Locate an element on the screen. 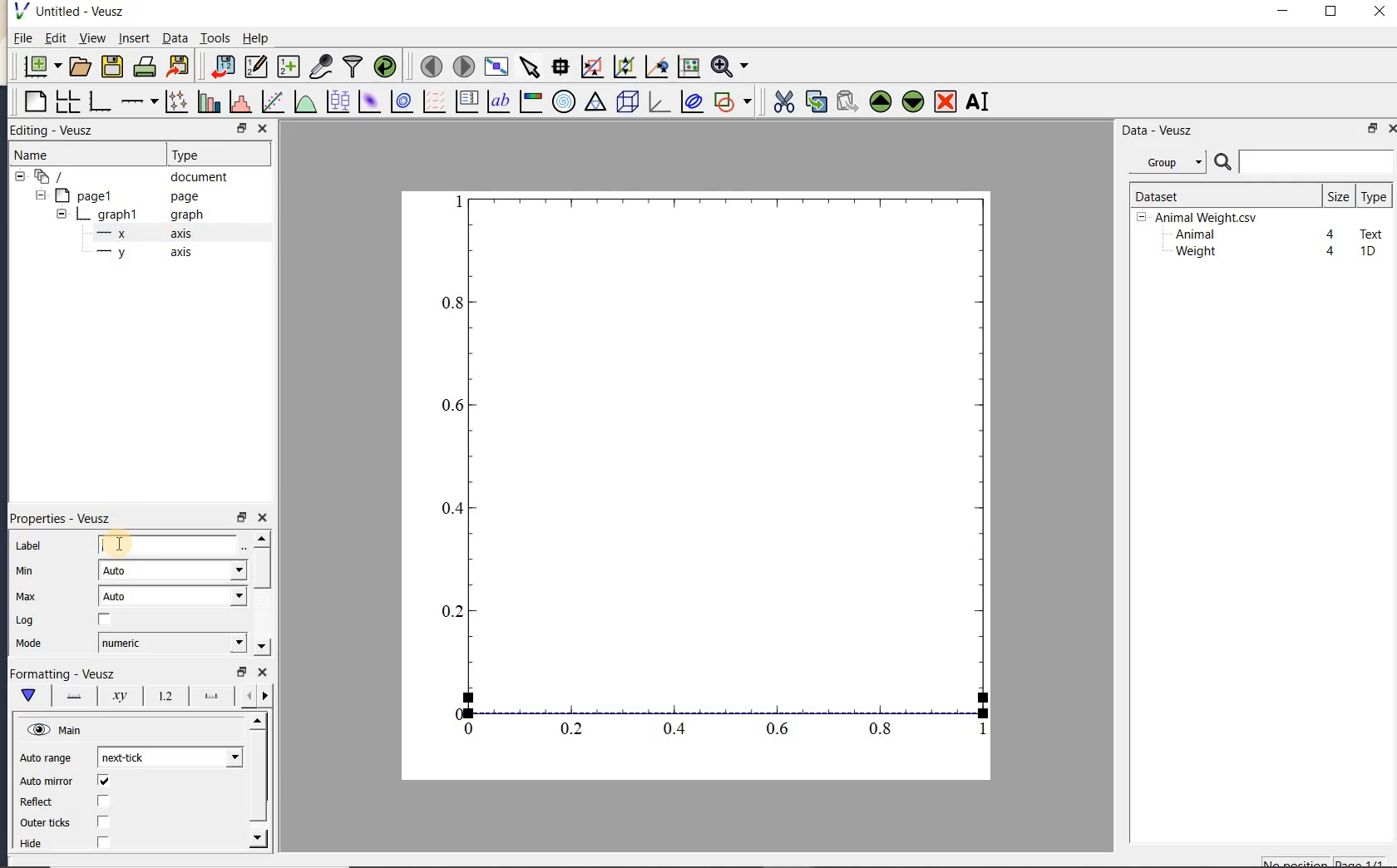  new document is located at coordinates (38, 67).